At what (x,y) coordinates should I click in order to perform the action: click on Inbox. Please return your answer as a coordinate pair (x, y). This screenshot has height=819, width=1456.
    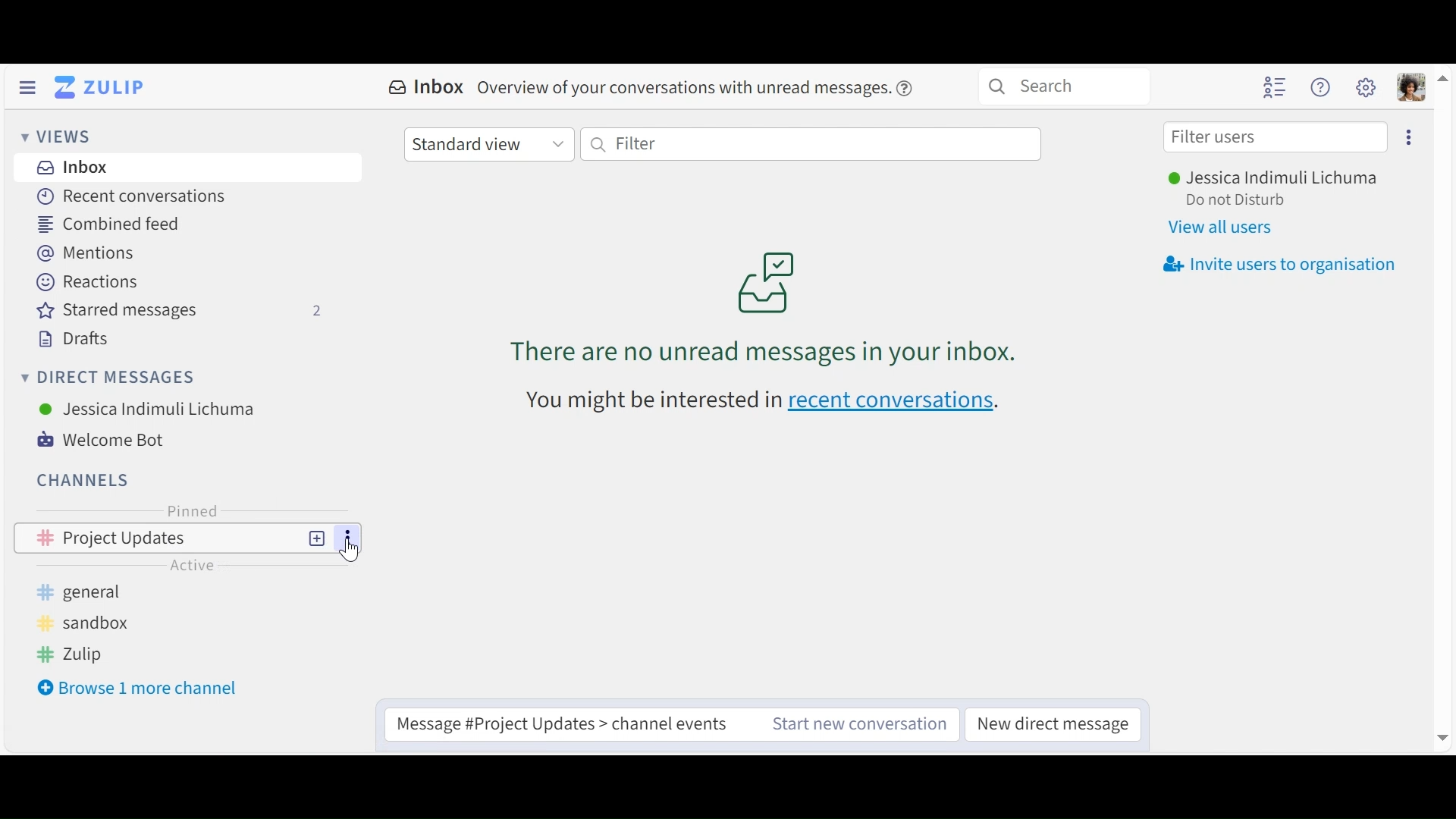
    Looking at the image, I should click on (651, 88).